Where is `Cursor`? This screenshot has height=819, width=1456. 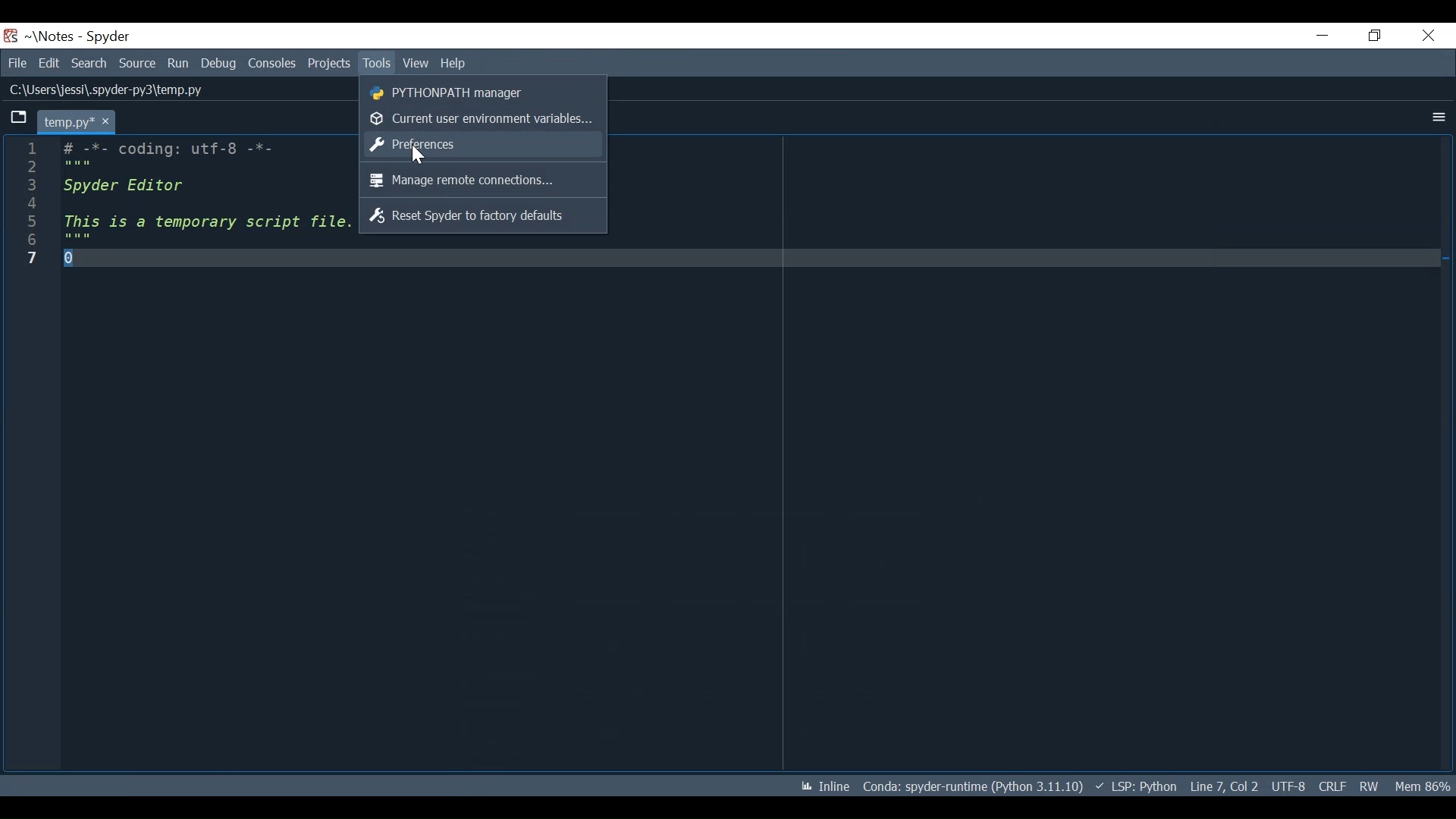 Cursor is located at coordinates (415, 158).